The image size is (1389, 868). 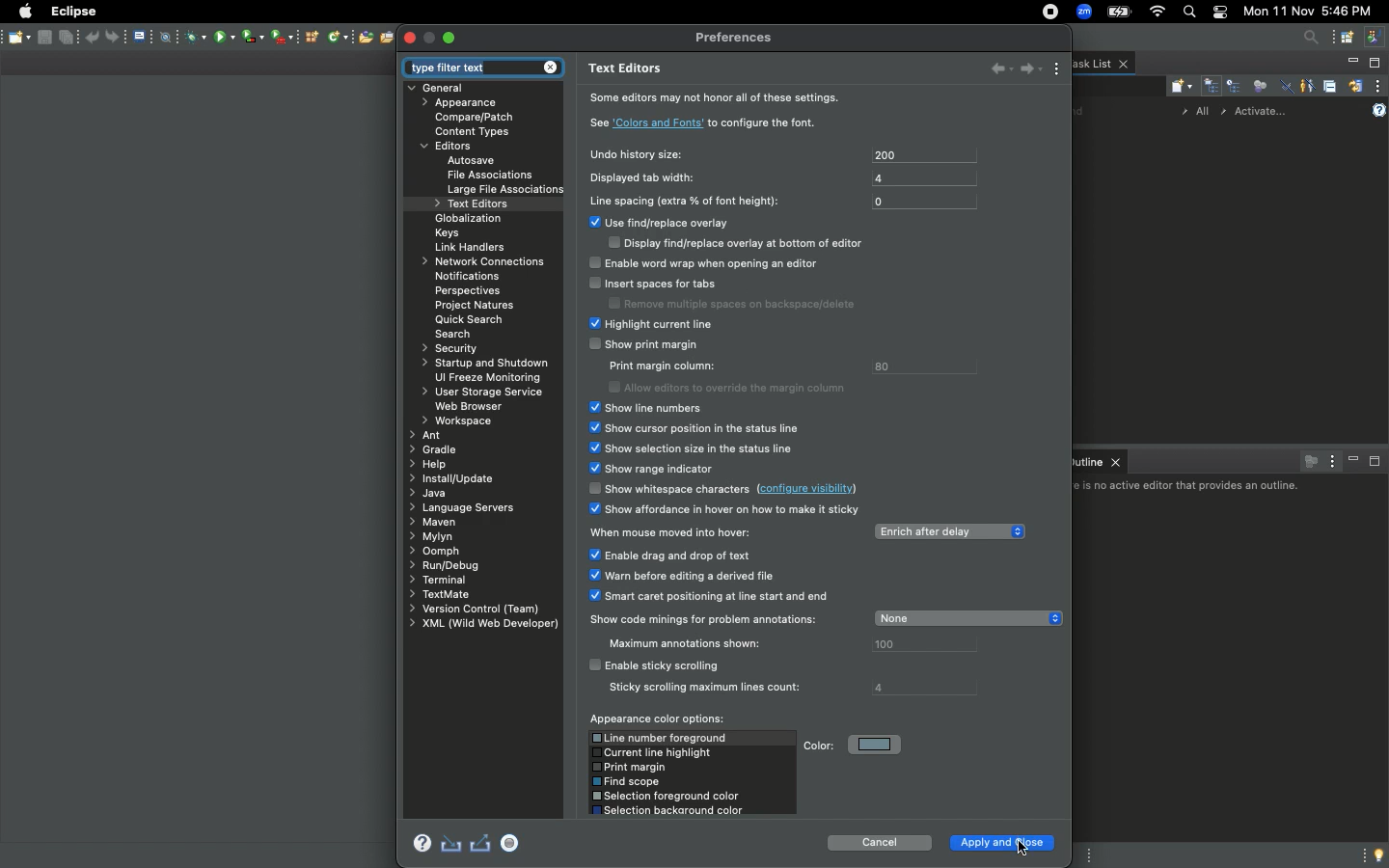 I want to click on New task, so click(x=1178, y=85).